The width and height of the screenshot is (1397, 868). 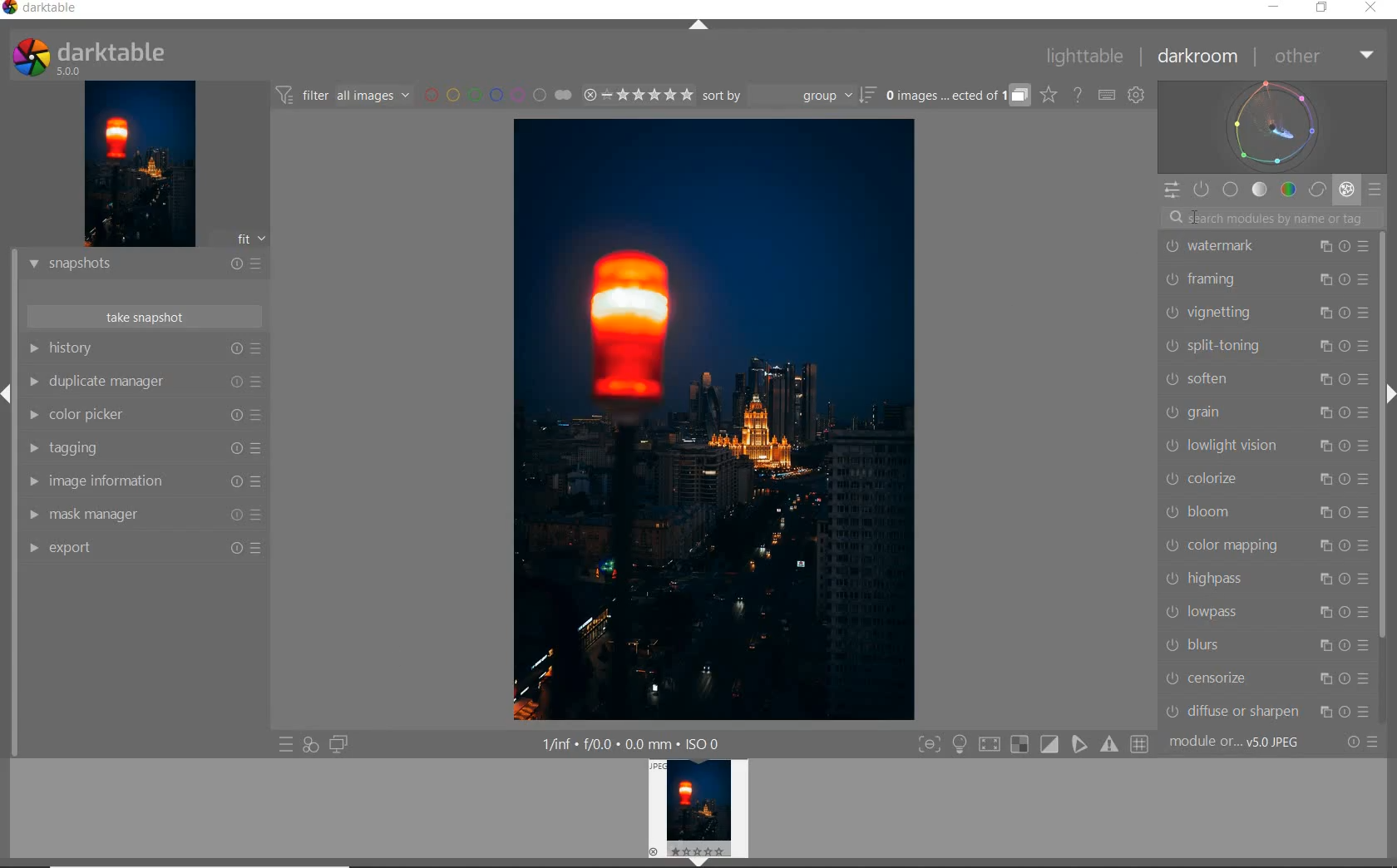 What do you see at coordinates (621, 742) in the screenshot?
I see `1/inf . f/0.0 . ISO 0` at bounding box center [621, 742].